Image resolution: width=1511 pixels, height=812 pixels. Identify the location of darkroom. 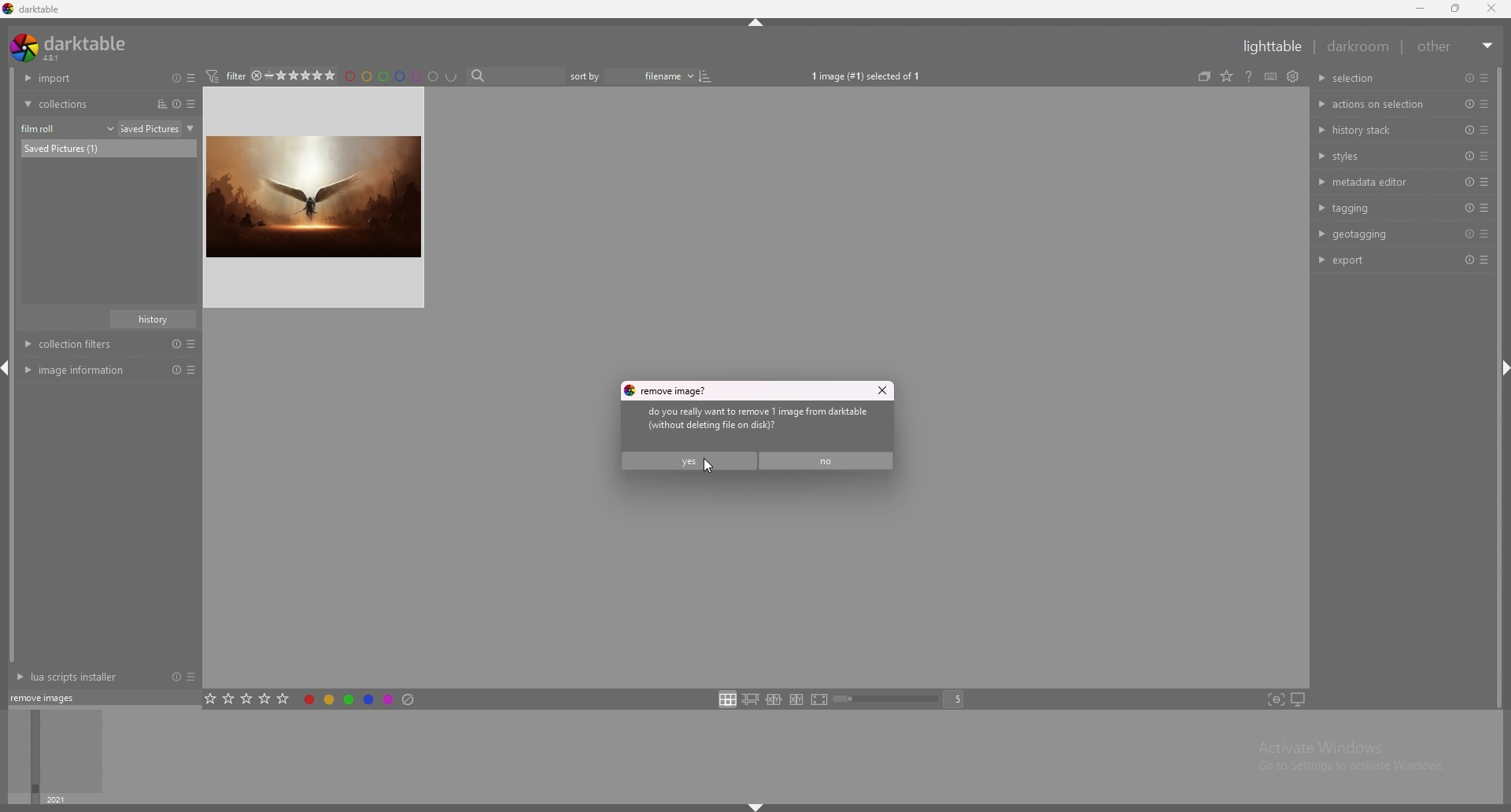
(1359, 46).